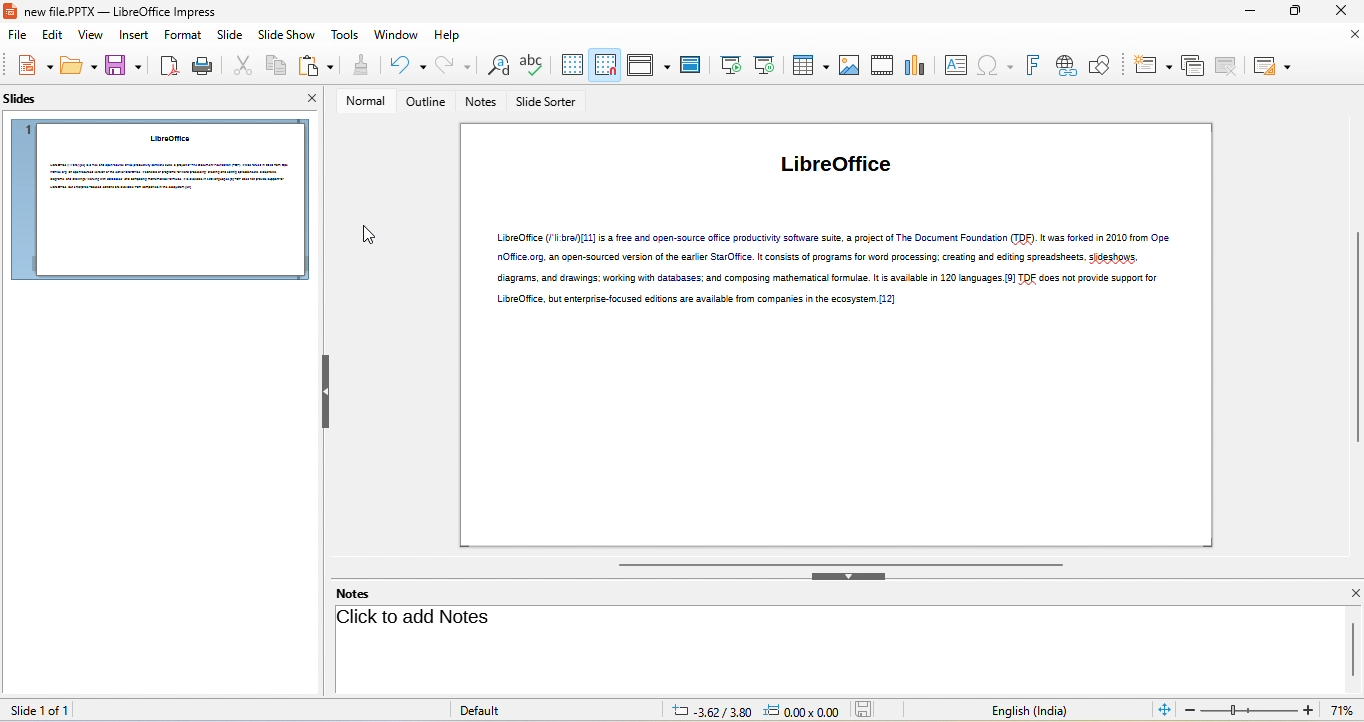 Image resolution: width=1364 pixels, height=722 pixels. I want to click on slide, so click(227, 35).